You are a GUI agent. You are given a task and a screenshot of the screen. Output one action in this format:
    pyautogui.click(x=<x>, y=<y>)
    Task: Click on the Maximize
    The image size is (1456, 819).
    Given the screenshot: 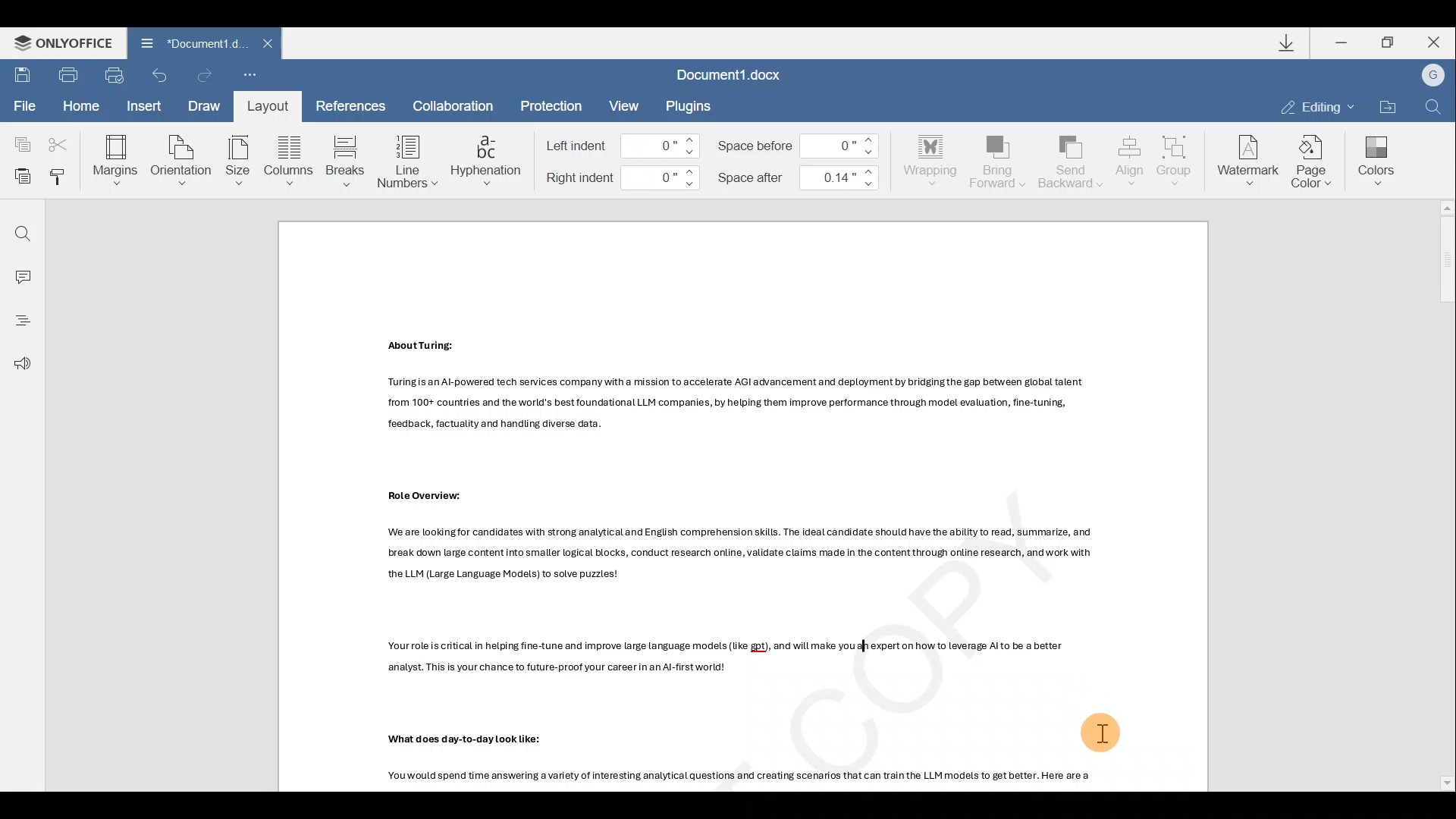 What is the action you would take?
    pyautogui.click(x=1386, y=42)
    